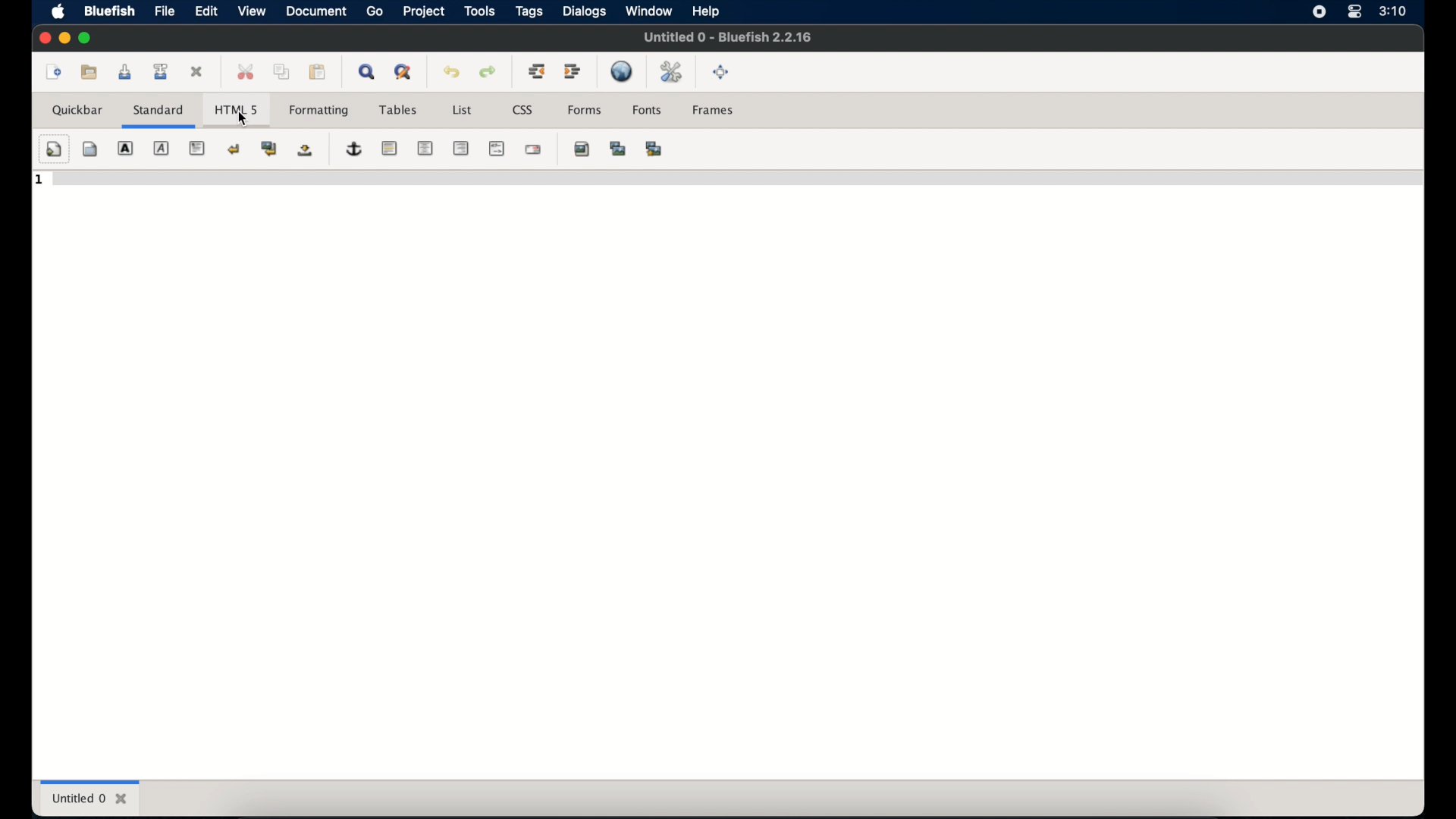 This screenshot has width=1456, height=819. I want to click on undo, so click(452, 72).